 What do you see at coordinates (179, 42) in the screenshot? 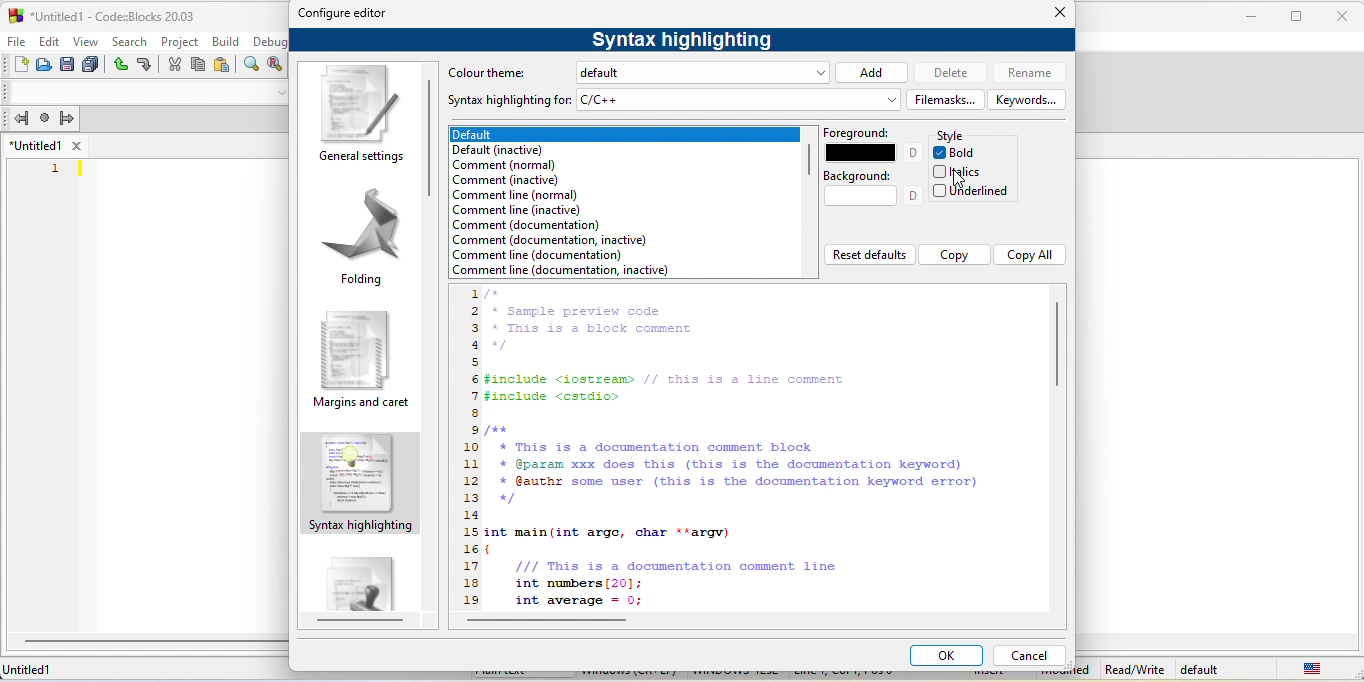
I see `project` at bounding box center [179, 42].